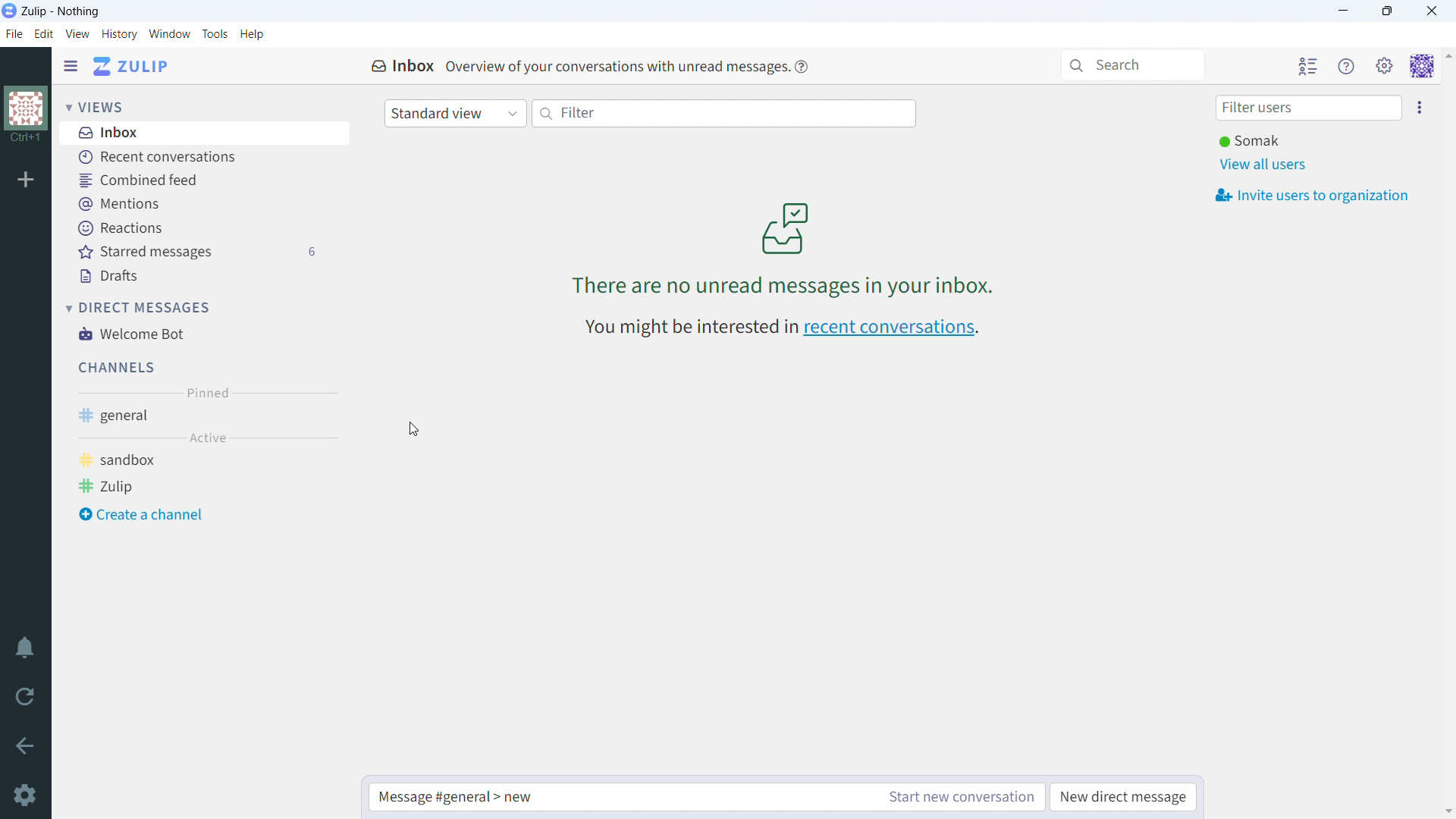 Image resolution: width=1456 pixels, height=819 pixels. What do you see at coordinates (171, 514) in the screenshot?
I see `create a channel` at bounding box center [171, 514].